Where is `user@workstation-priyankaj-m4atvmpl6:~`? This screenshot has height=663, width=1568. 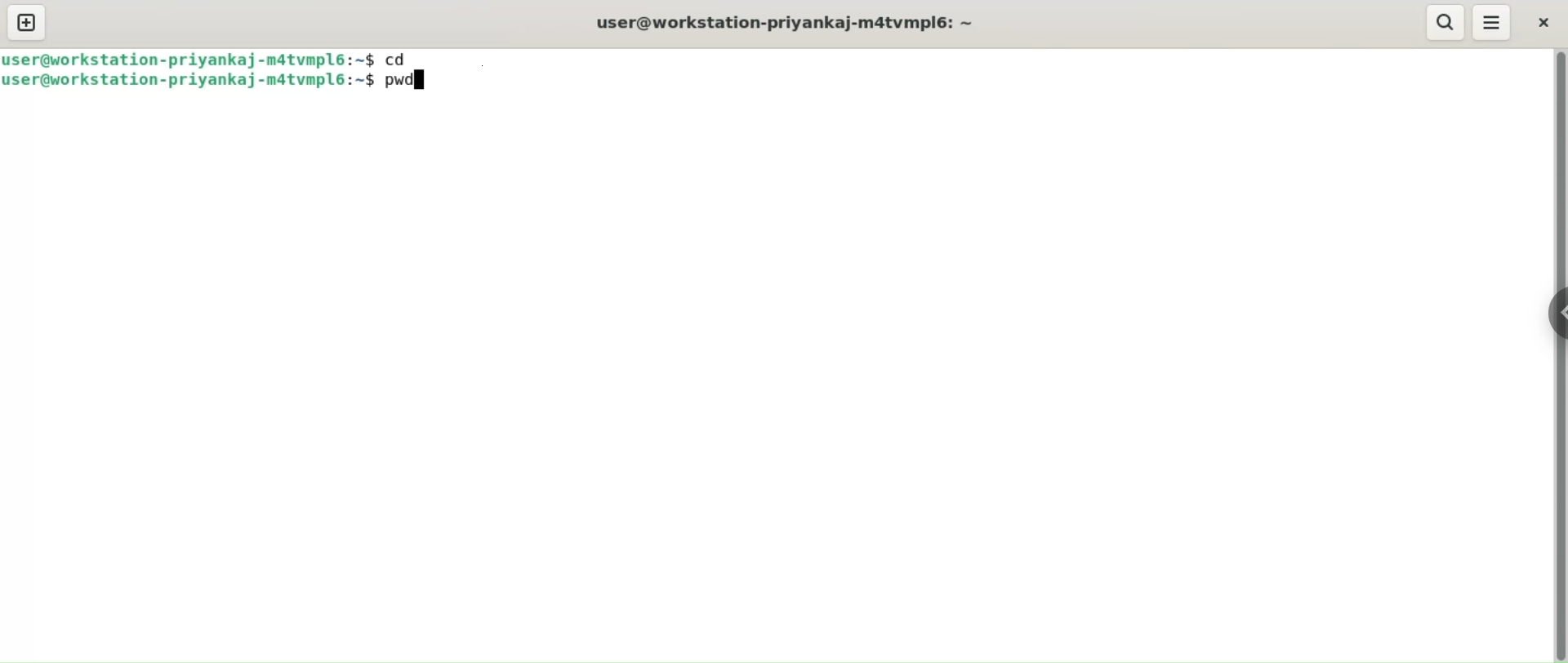 user@workstation-priyankaj-m4atvmpl6:~ is located at coordinates (791, 23).